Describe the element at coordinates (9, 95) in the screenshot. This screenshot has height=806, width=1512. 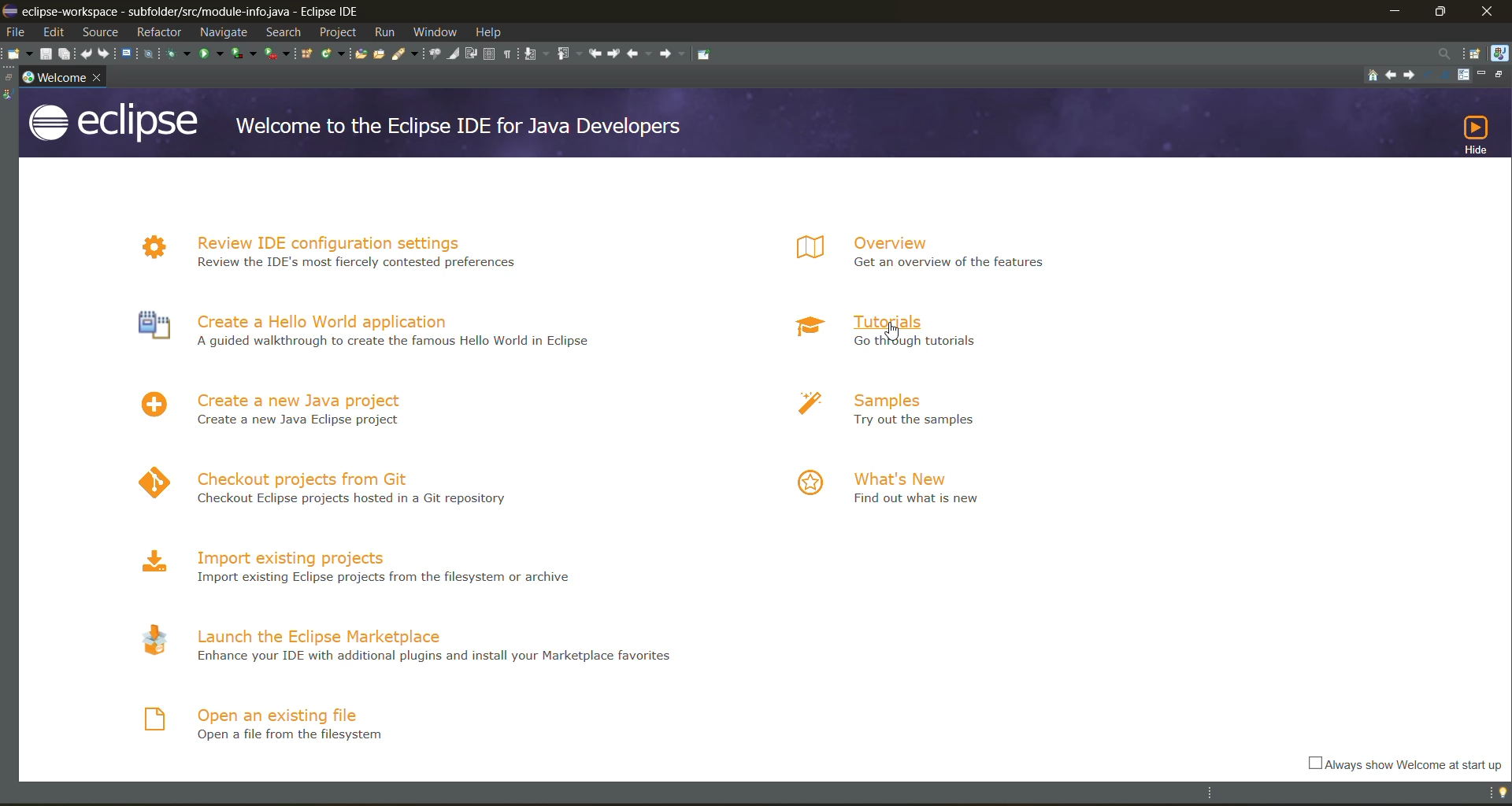
I see `java` at that location.